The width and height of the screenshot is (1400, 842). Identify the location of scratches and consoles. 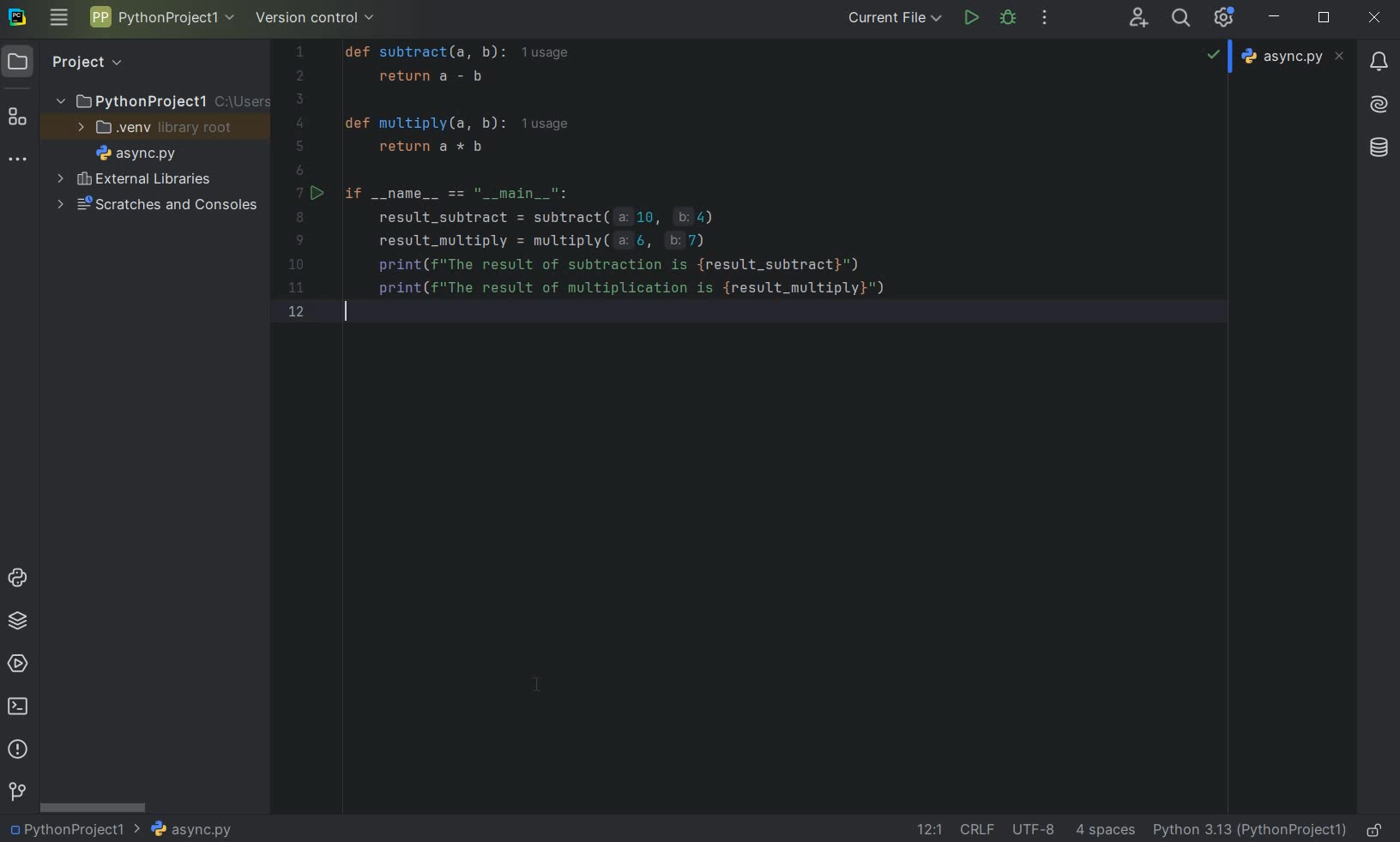
(162, 206).